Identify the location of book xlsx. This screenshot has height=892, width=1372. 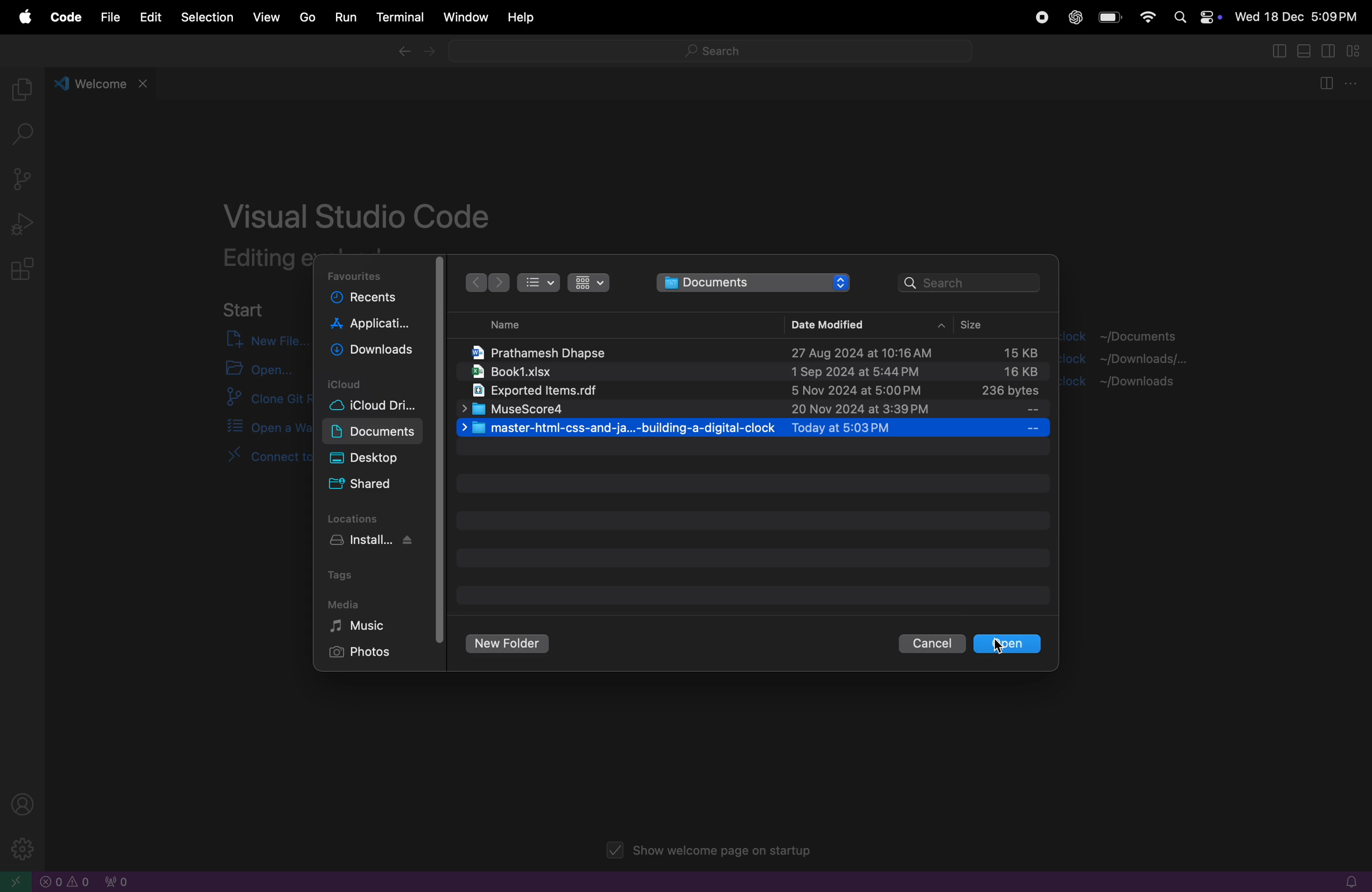
(750, 373).